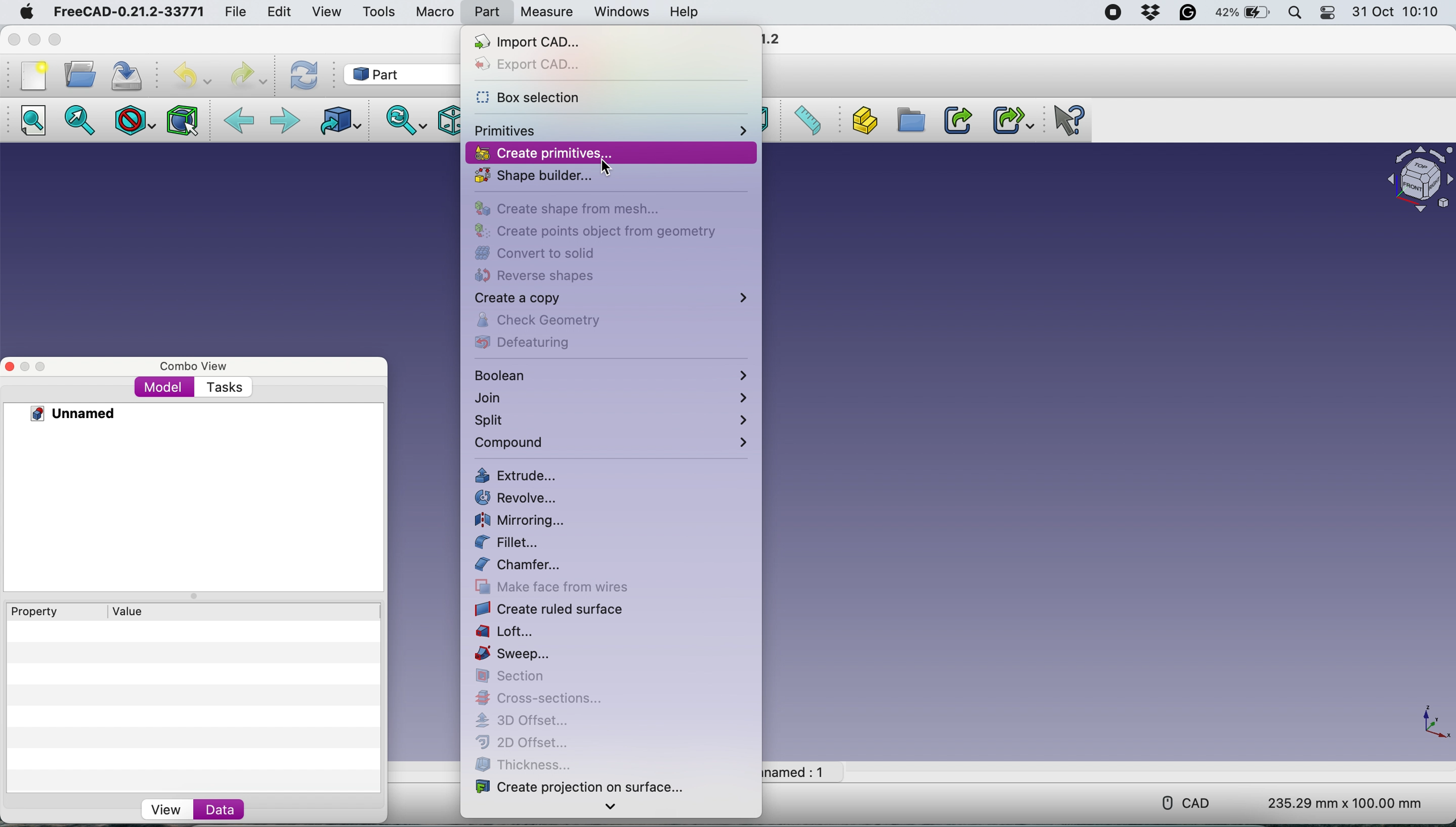 This screenshot has width=1456, height=827. Describe the element at coordinates (286, 120) in the screenshot. I see `Forward` at that location.